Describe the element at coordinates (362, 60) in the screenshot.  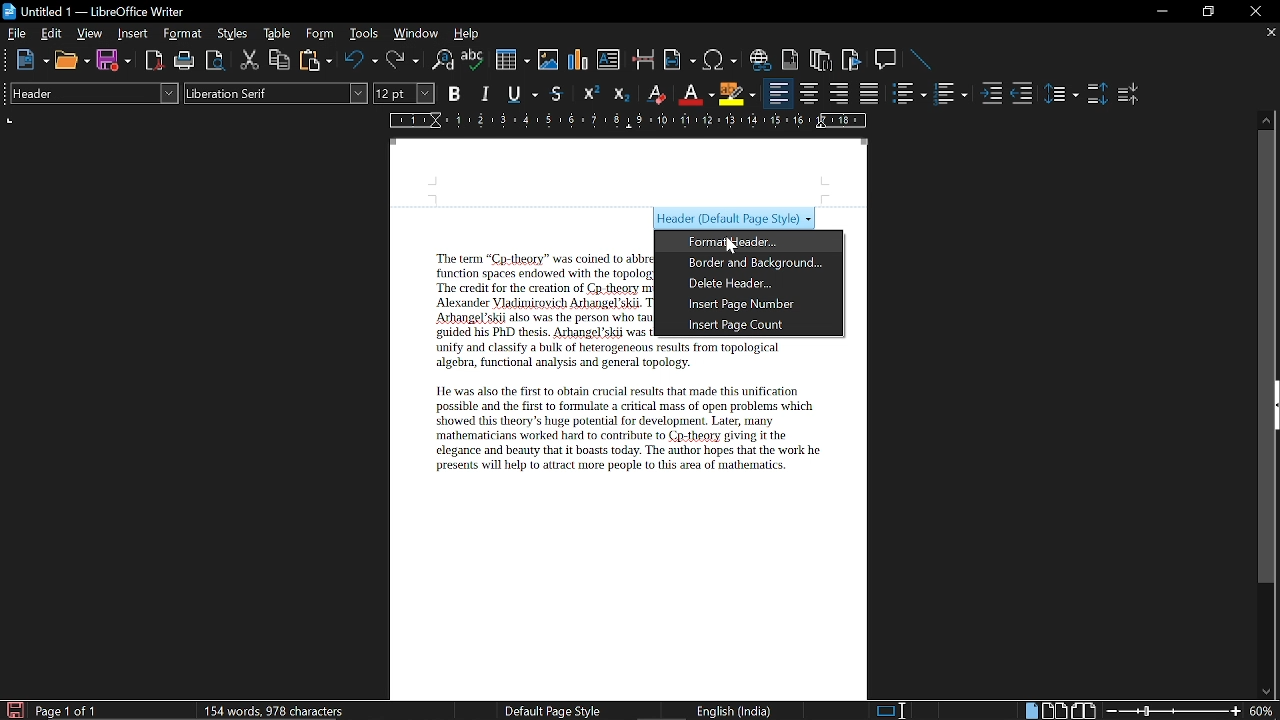
I see `Undo` at that location.